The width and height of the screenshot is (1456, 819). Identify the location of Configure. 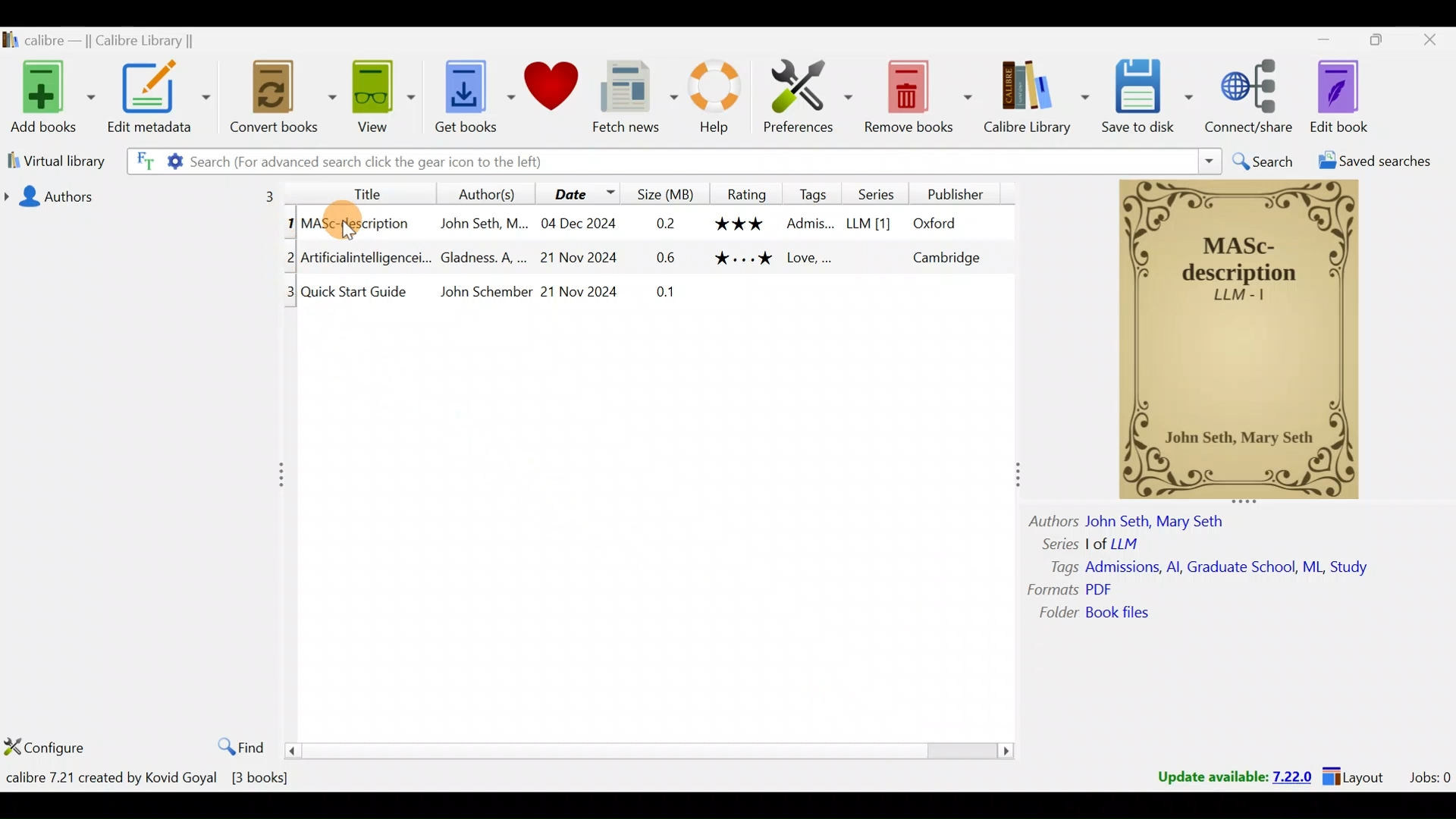
(54, 745).